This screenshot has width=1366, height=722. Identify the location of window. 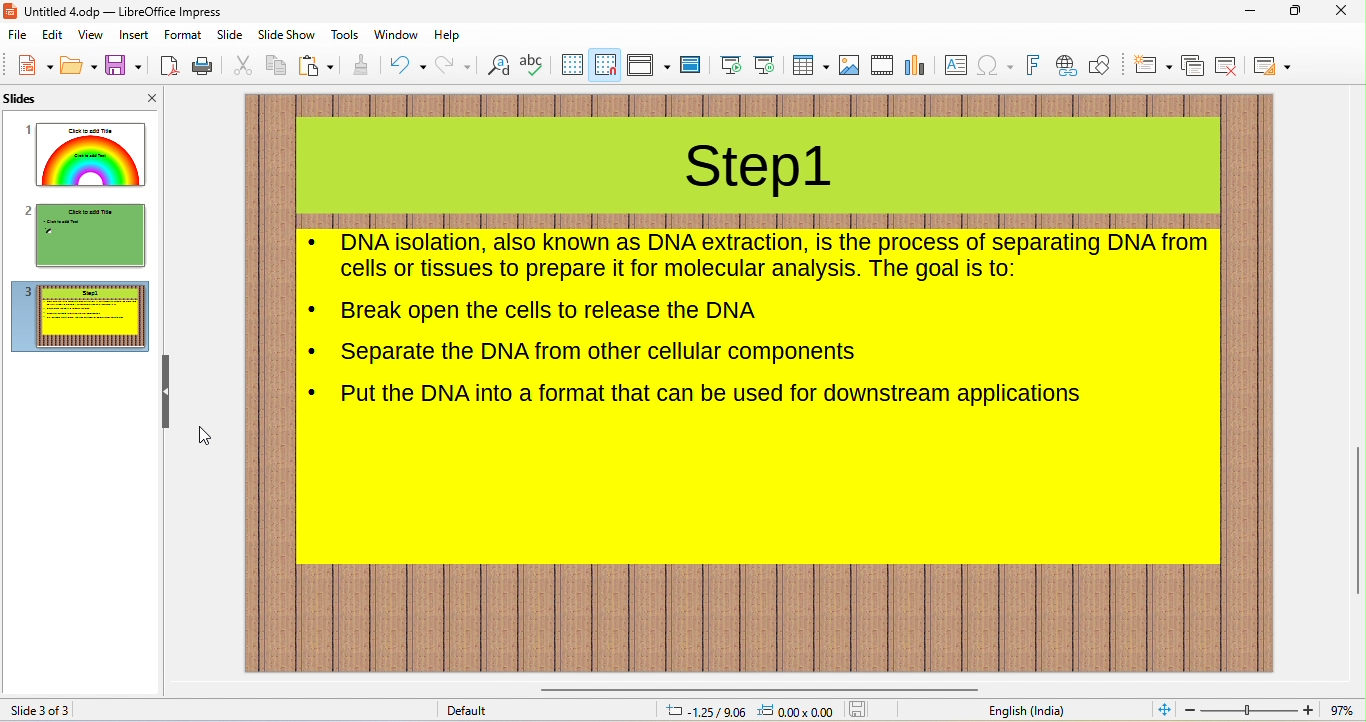
(396, 35).